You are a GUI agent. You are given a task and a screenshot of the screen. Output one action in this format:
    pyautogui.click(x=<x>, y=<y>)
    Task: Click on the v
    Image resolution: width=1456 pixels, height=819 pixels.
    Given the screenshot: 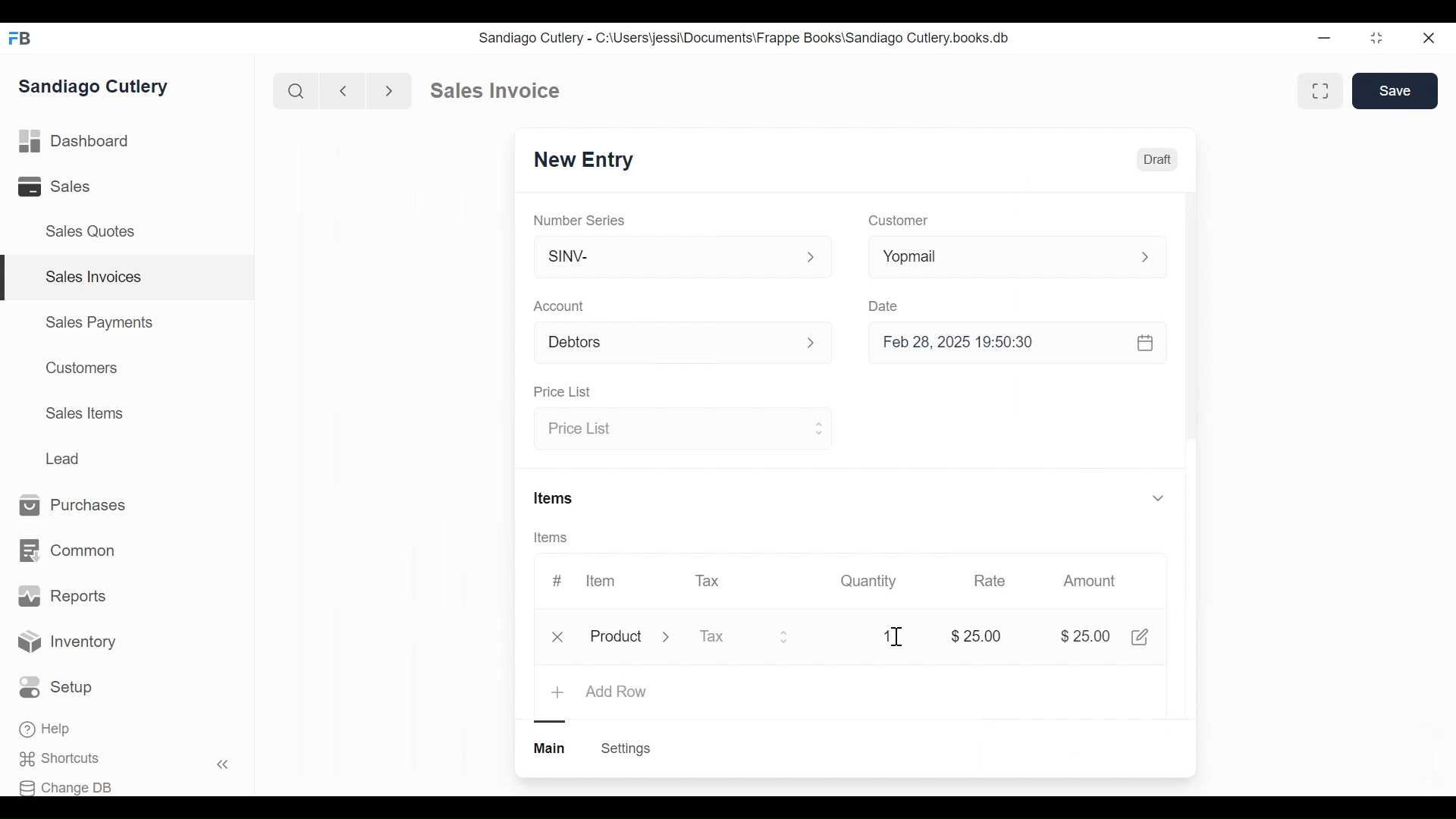 What is the action you would take?
    pyautogui.click(x=1159, y=499)
    